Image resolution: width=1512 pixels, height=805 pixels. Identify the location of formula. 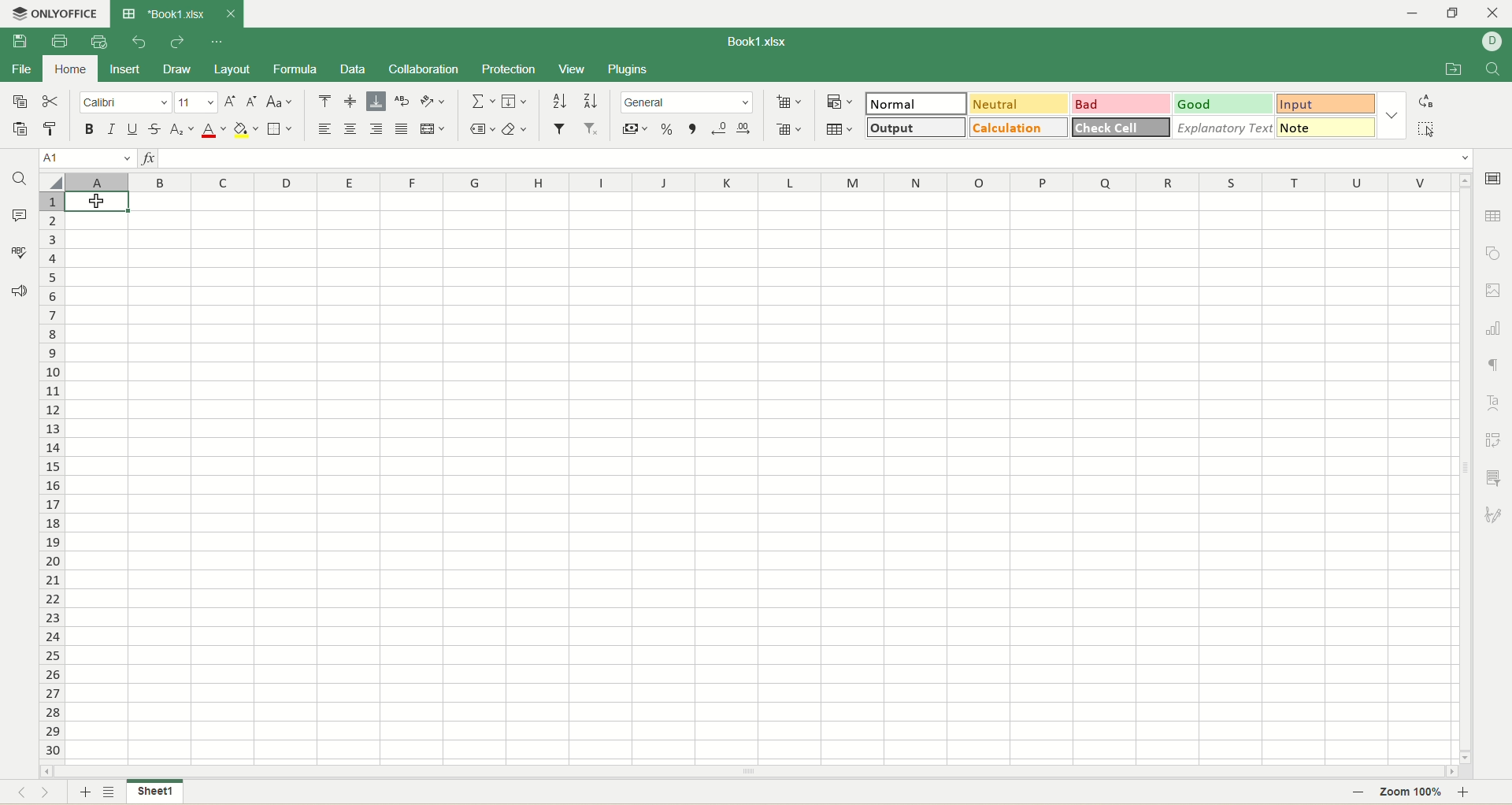
(295, 69).